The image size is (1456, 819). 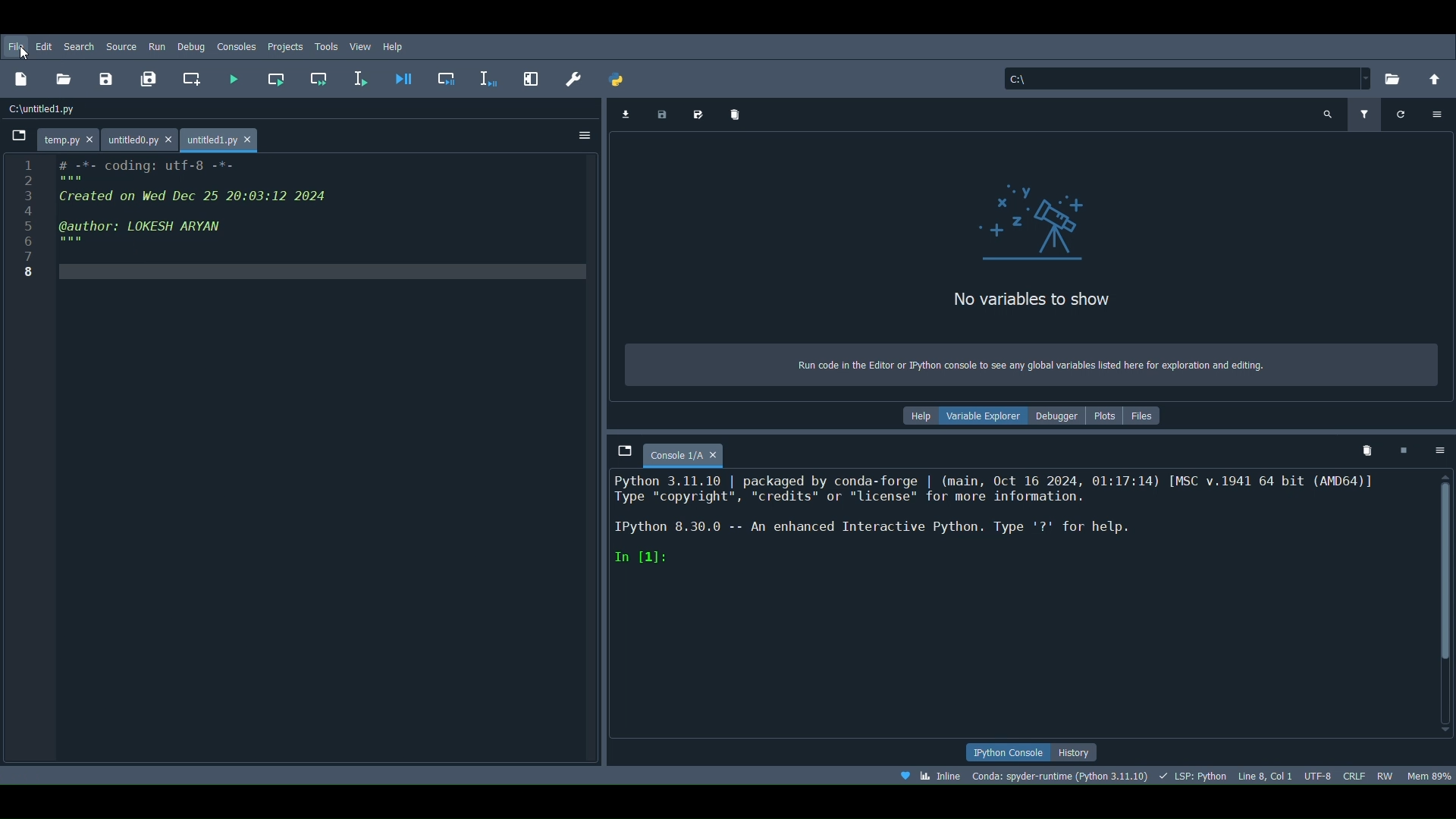 What do you see at coordinates (1030, 221) in the screenshot?
I see `icon` at bounding box center [1030, 221].